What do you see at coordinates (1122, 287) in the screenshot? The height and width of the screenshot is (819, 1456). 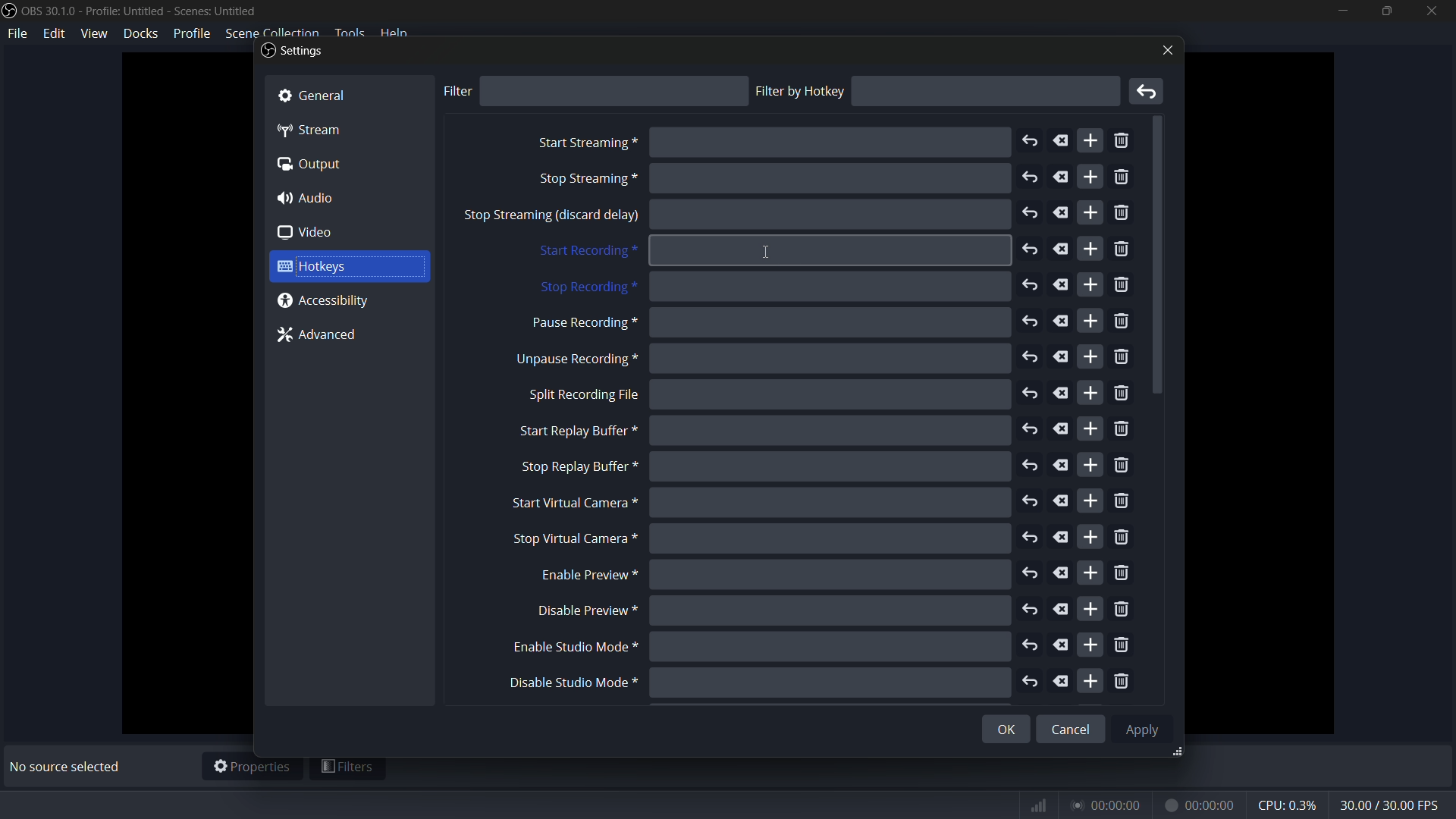 I see `remove` at bounding box center [1122, 287].